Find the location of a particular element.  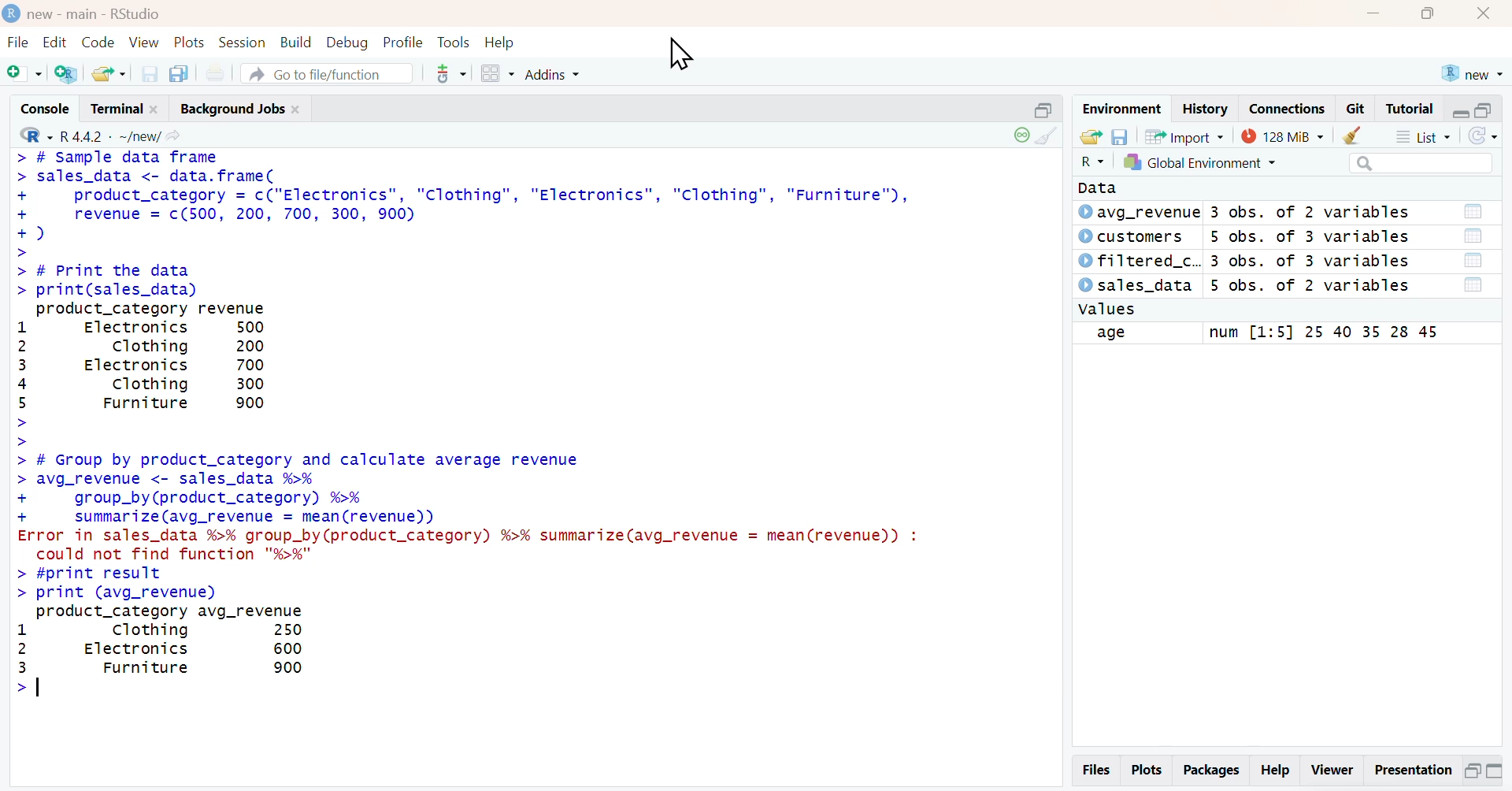

Save Current Document is located at coordinates (150, 75).